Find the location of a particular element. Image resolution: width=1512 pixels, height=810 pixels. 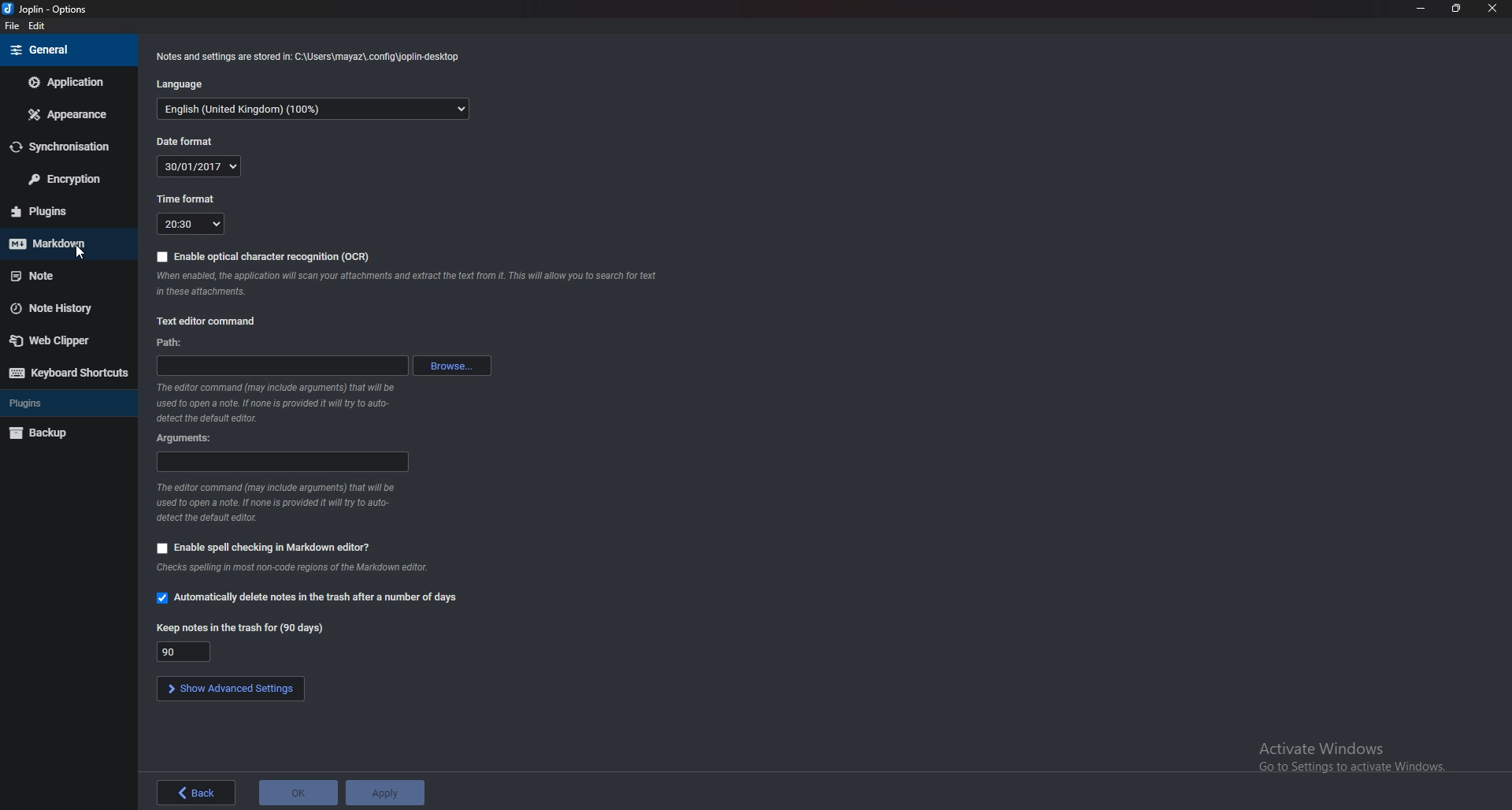

Web Clipper is located at coordinates (61, 340).